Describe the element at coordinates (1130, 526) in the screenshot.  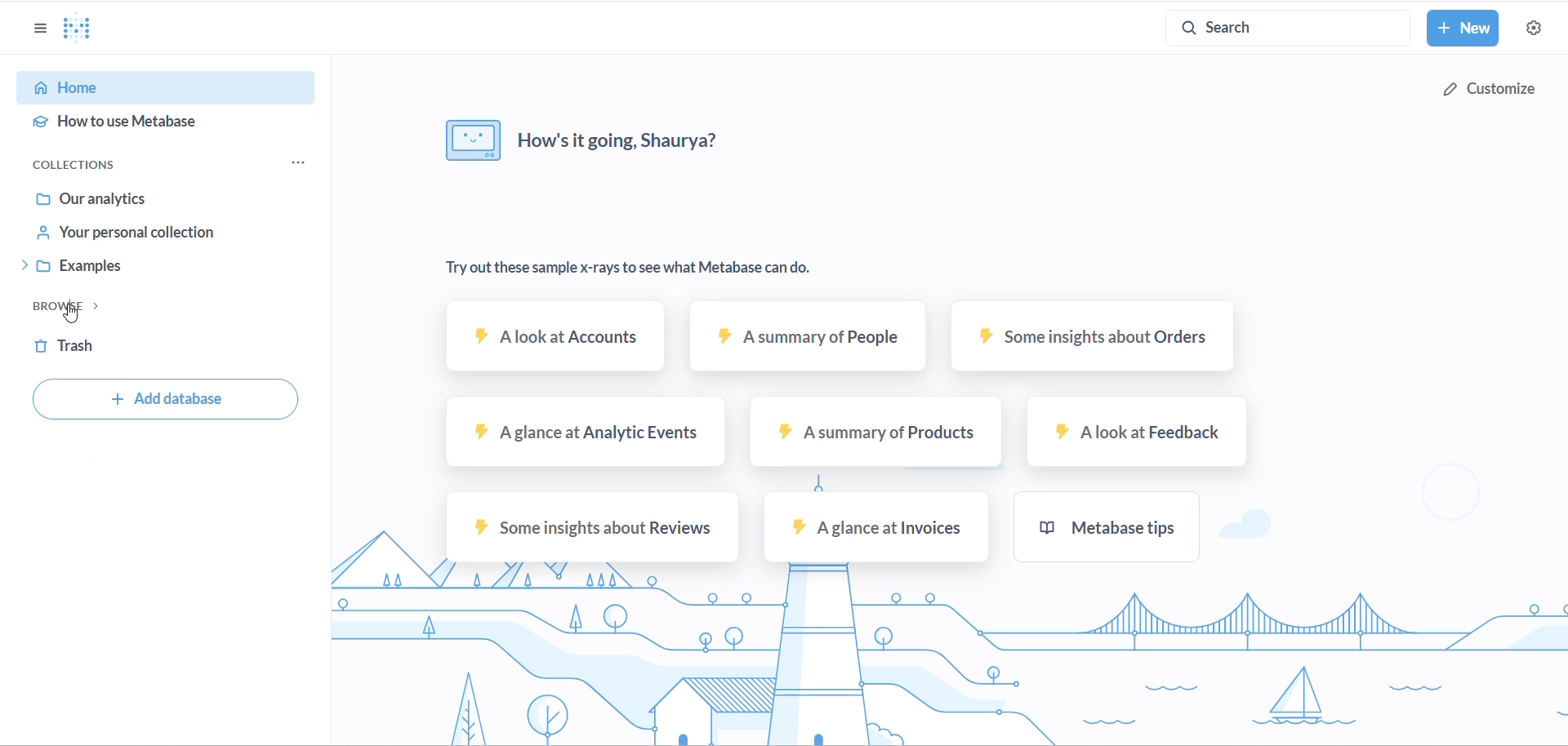
I see `metabase tips` at that location.